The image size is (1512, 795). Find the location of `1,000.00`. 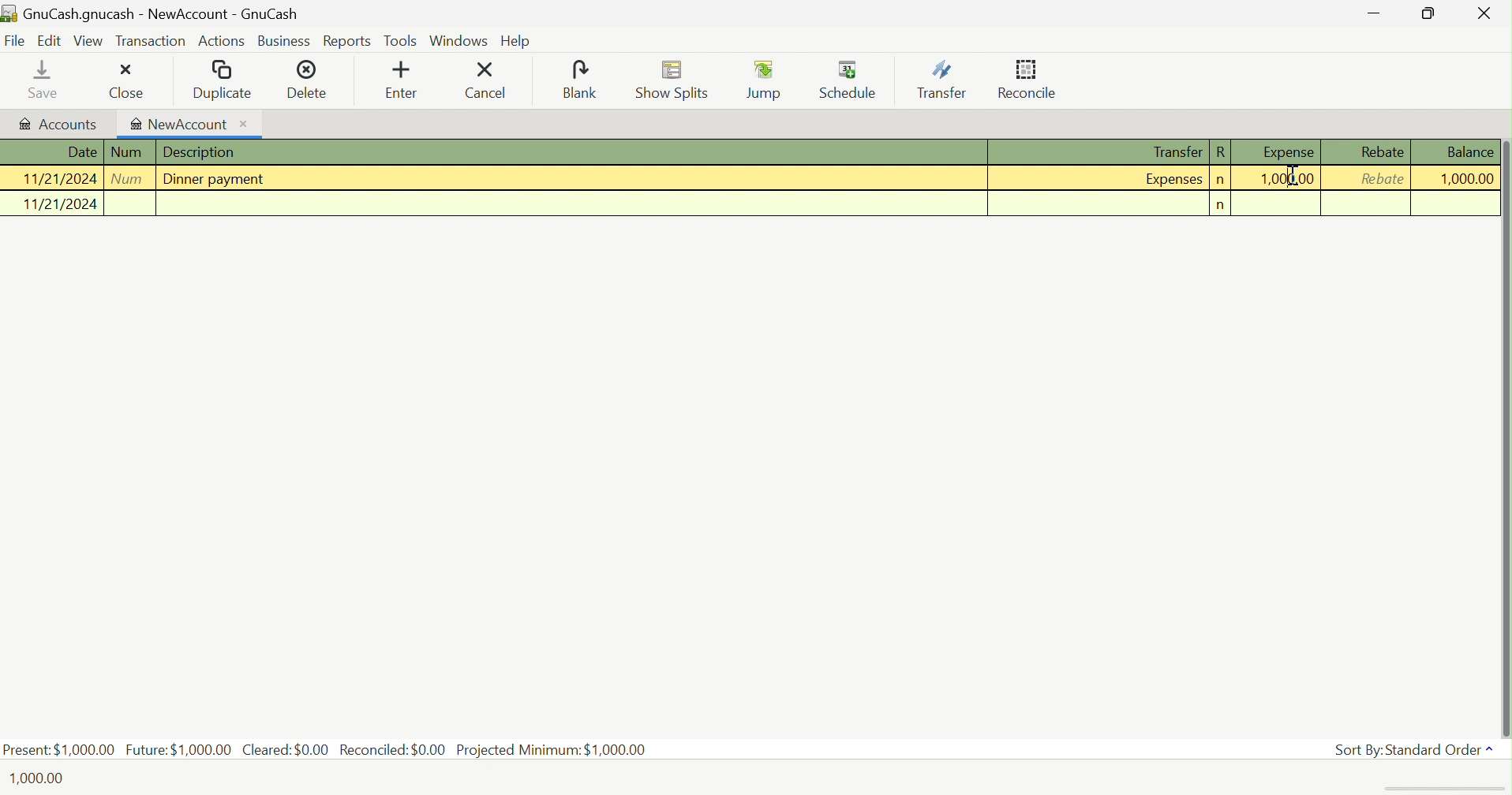

1,000.00 is located at coordinates (1465, 177).